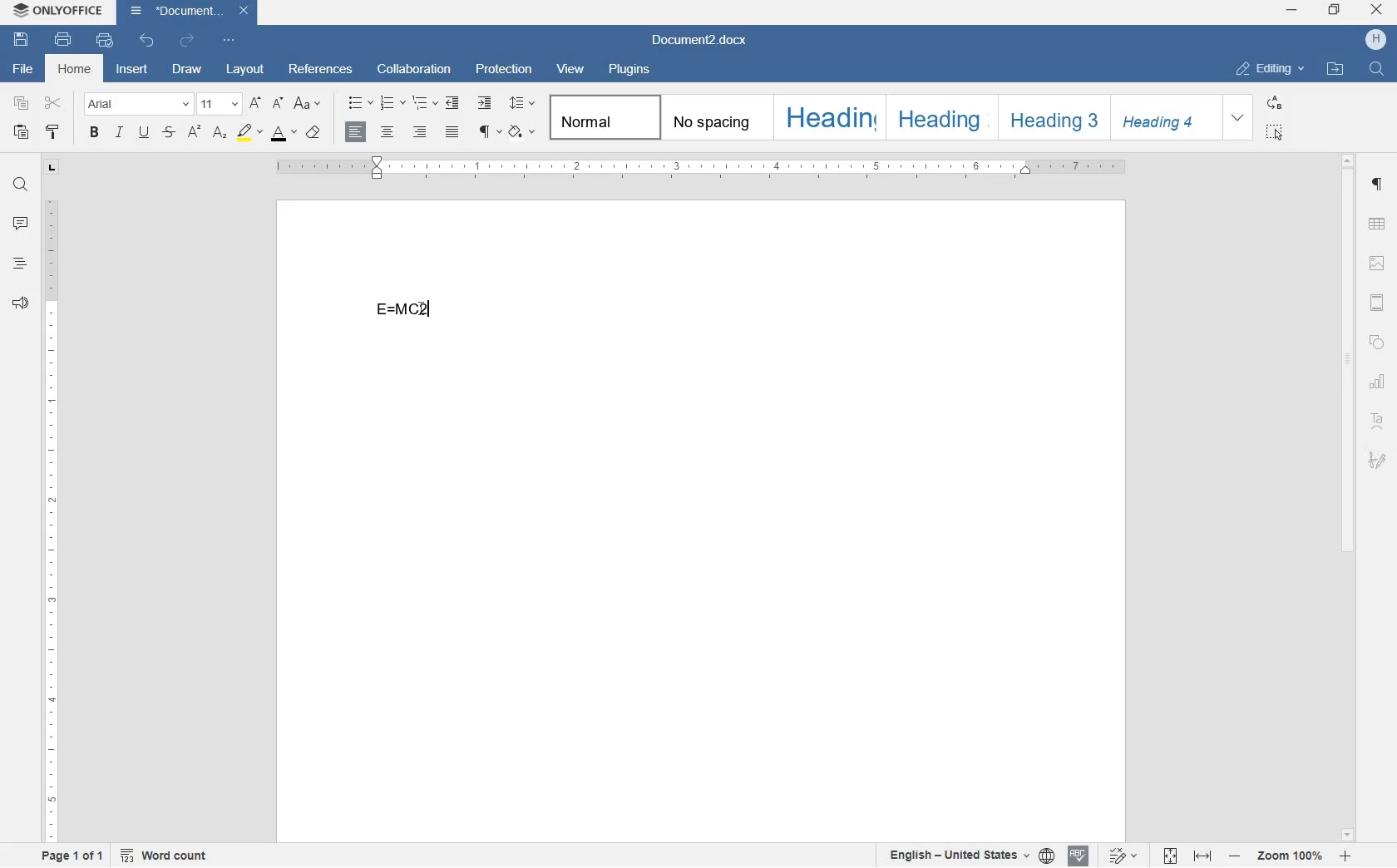 The width and height of the screenshot is (1397, 868). What do you see at coordinates (713, 116) in the screenshot?
I see `no spacing` at bounding box center [713, 116].